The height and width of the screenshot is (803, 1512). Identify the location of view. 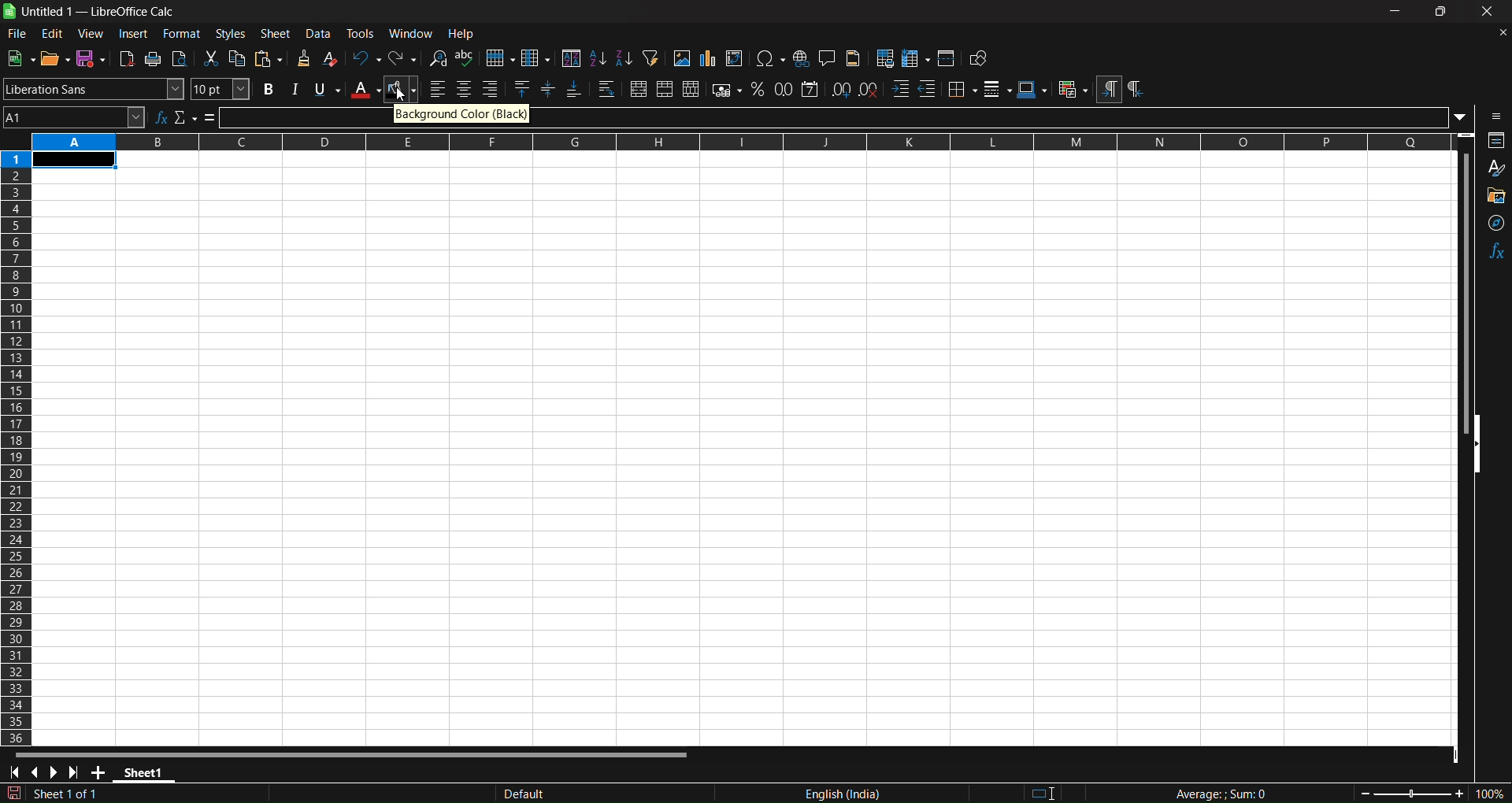
(91, 34).